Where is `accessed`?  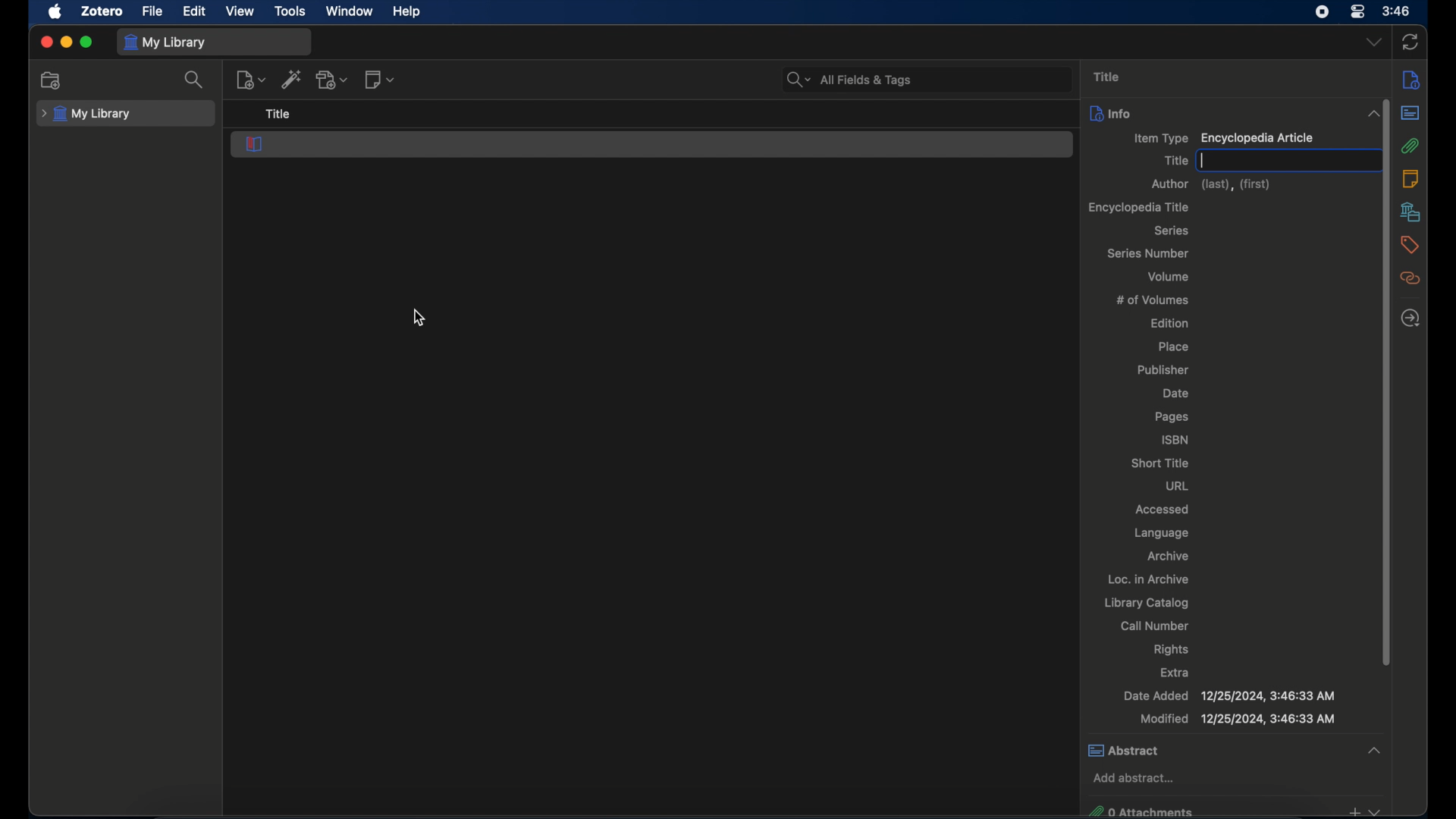 accessed is located at coordinates (1162, 509).